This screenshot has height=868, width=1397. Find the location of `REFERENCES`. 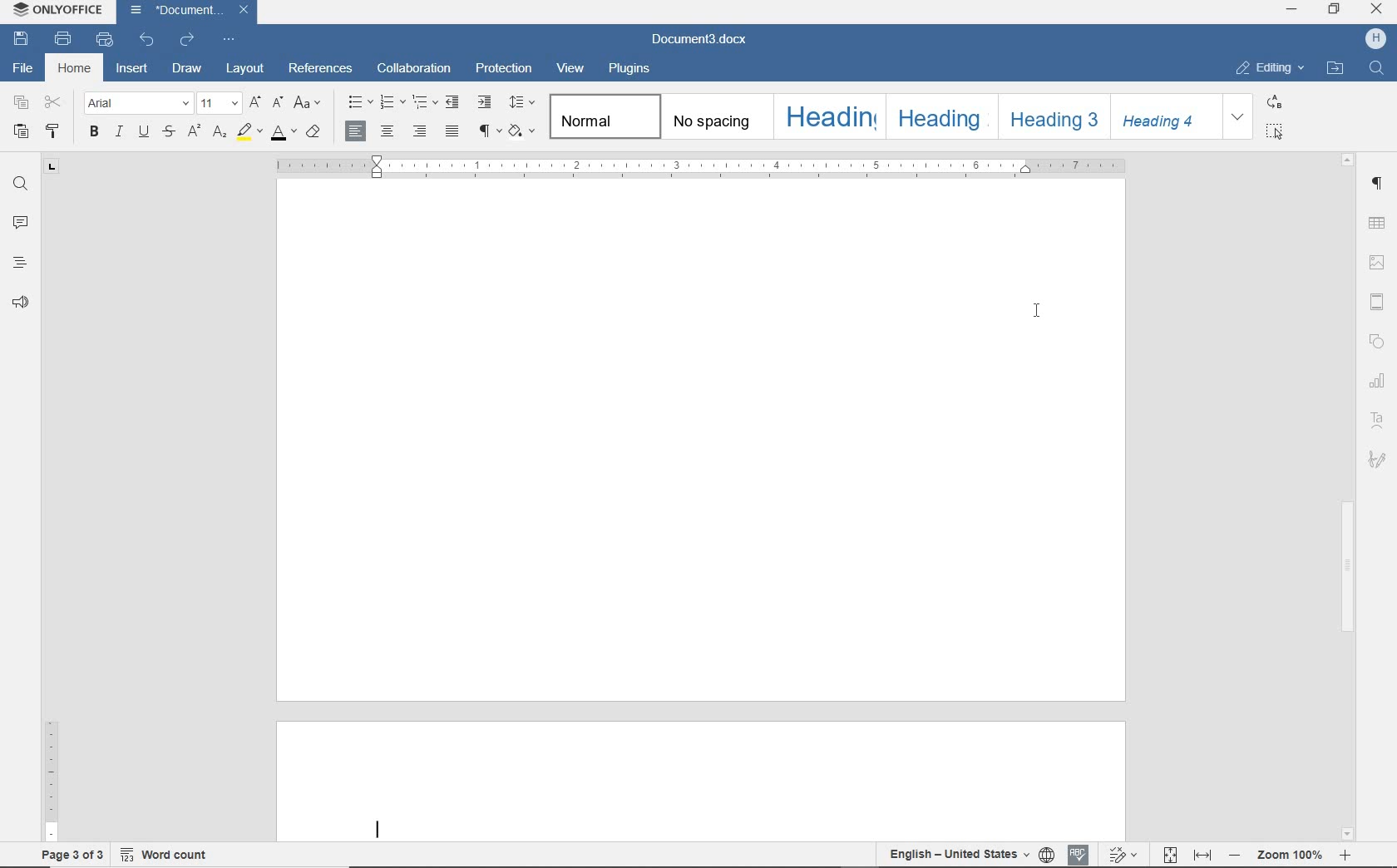

REFERENCES is located at coordinates (320, 69).